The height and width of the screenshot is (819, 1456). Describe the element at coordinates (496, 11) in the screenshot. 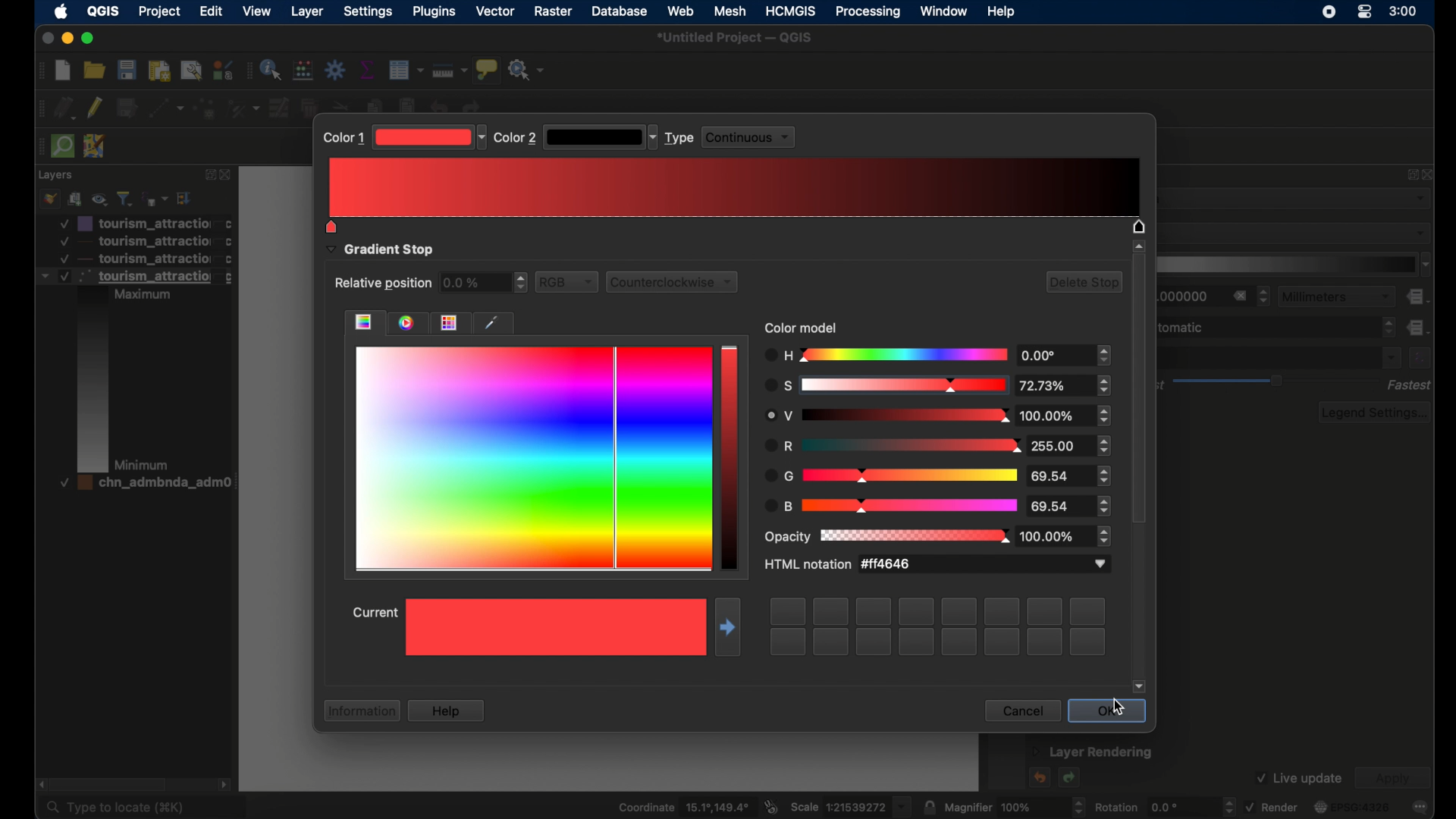

I see `vector` at that location.